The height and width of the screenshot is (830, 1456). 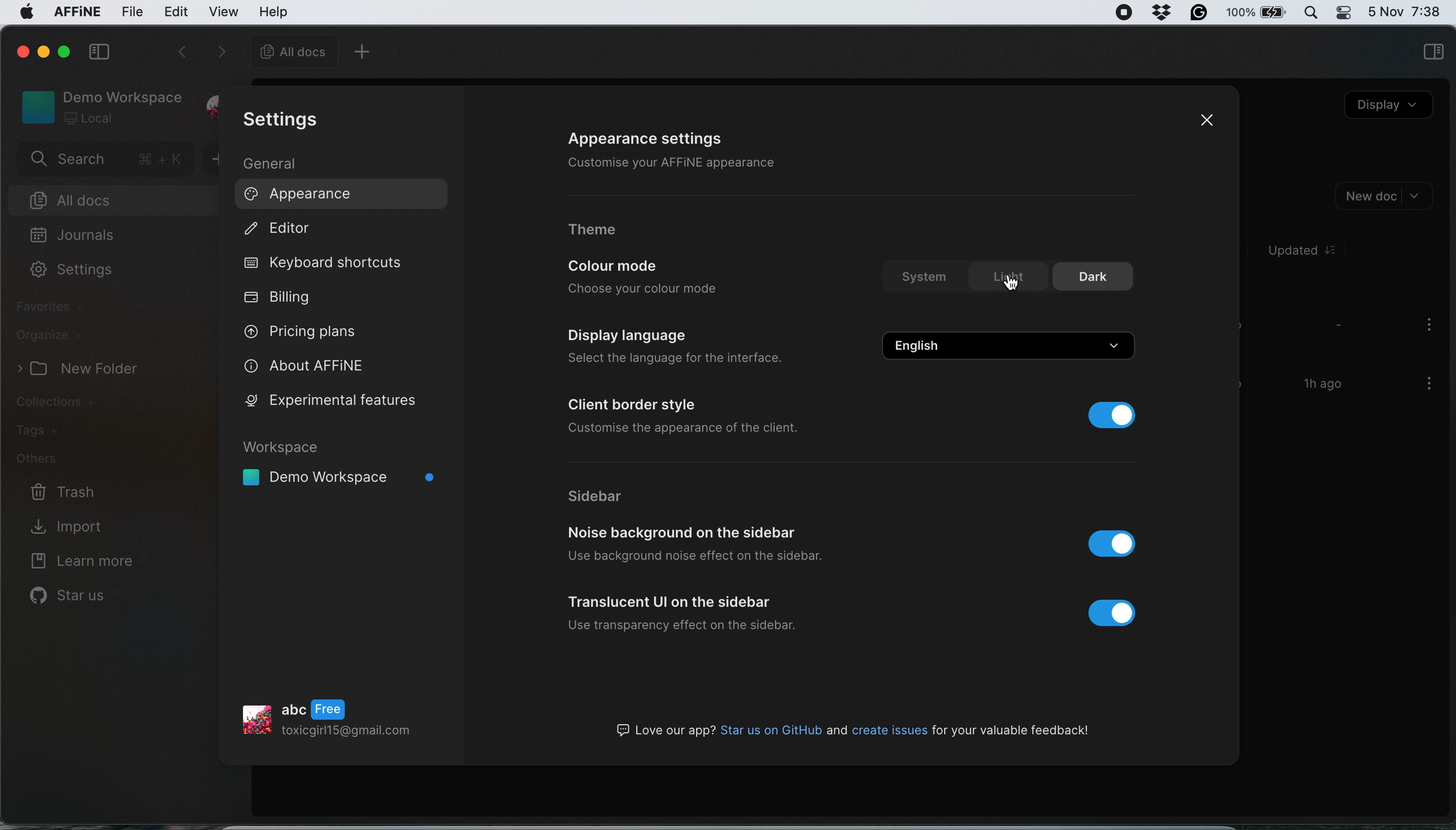 What do you see at coordinates (80, 370) in the screenshot?
I see `New Folder` at bounding box center [80, 370].